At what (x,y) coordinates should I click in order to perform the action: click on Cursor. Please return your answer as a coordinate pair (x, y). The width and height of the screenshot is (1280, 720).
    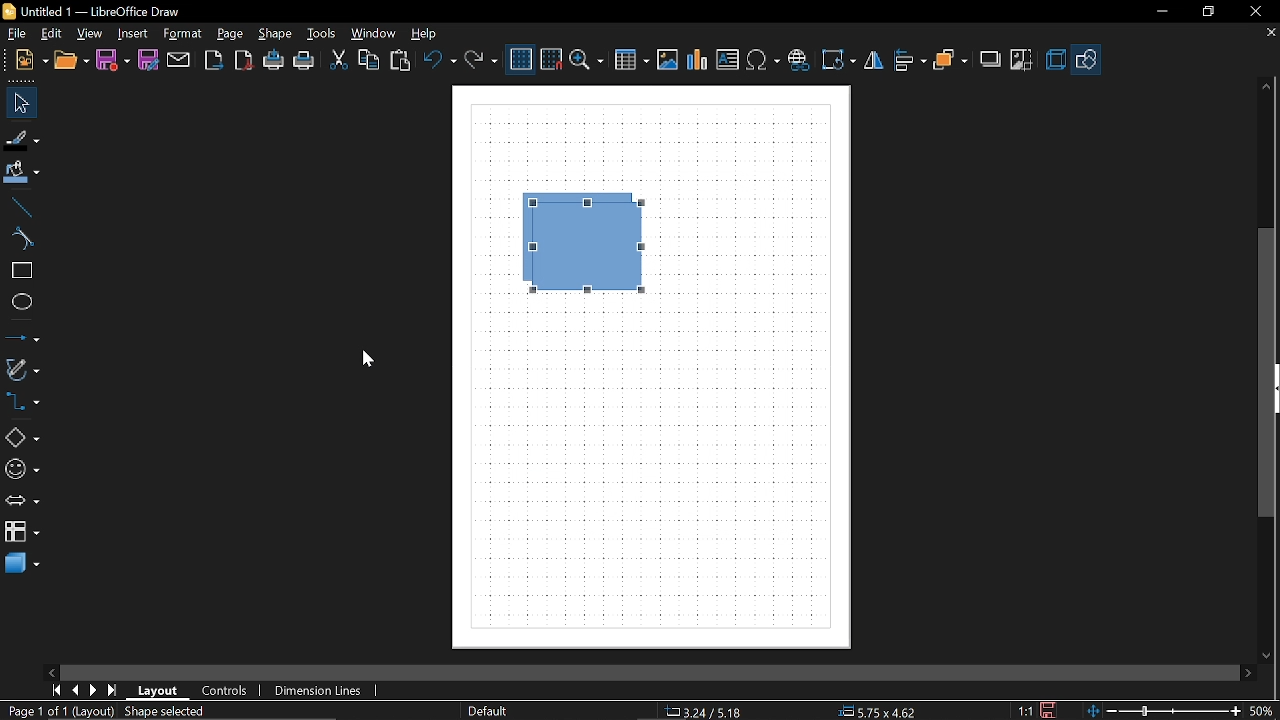
    Looking at the image, I should click on (363, 360).